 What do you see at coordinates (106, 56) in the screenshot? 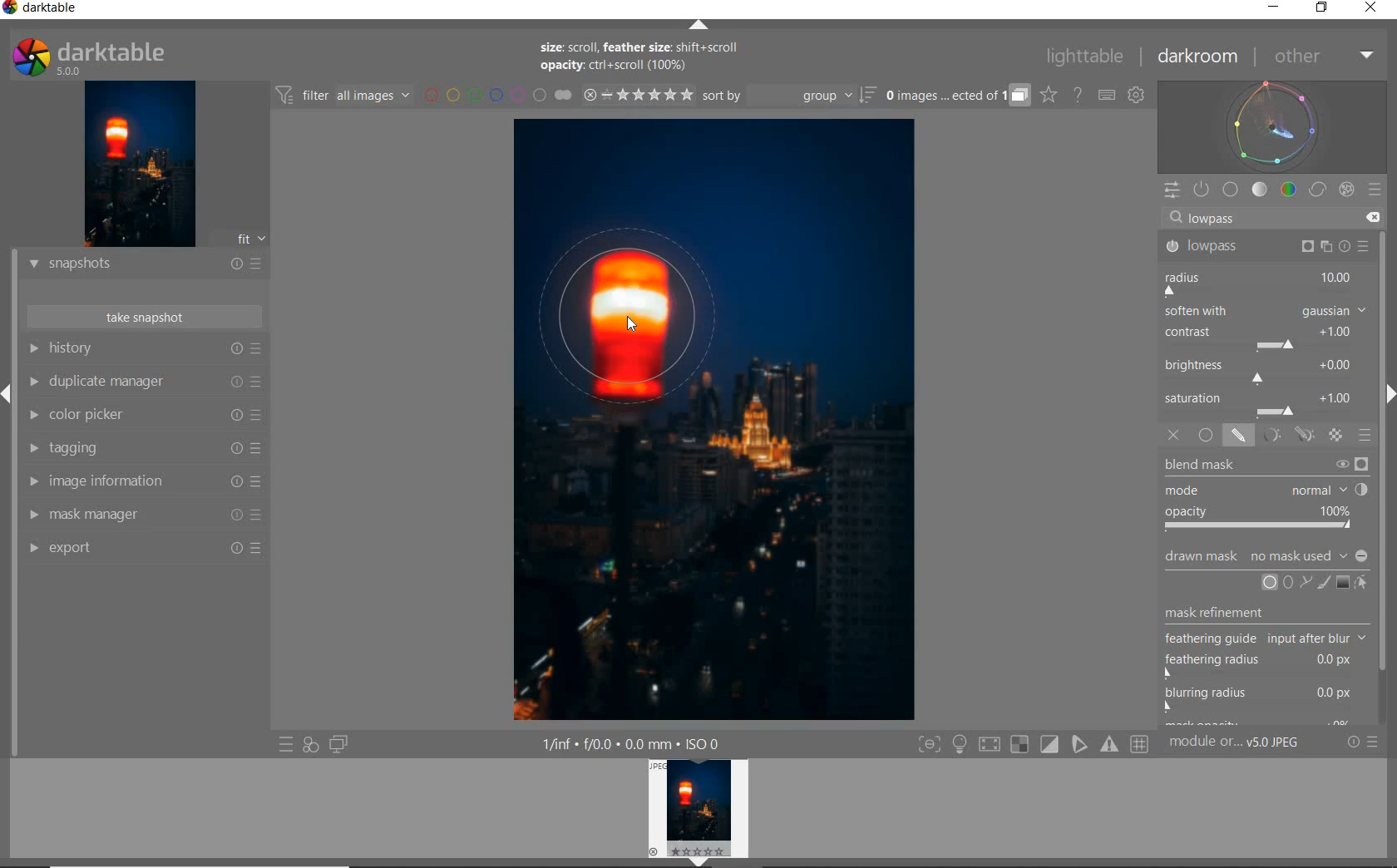
I see `SYSTEM LOG` at bounding box center [106, 56].